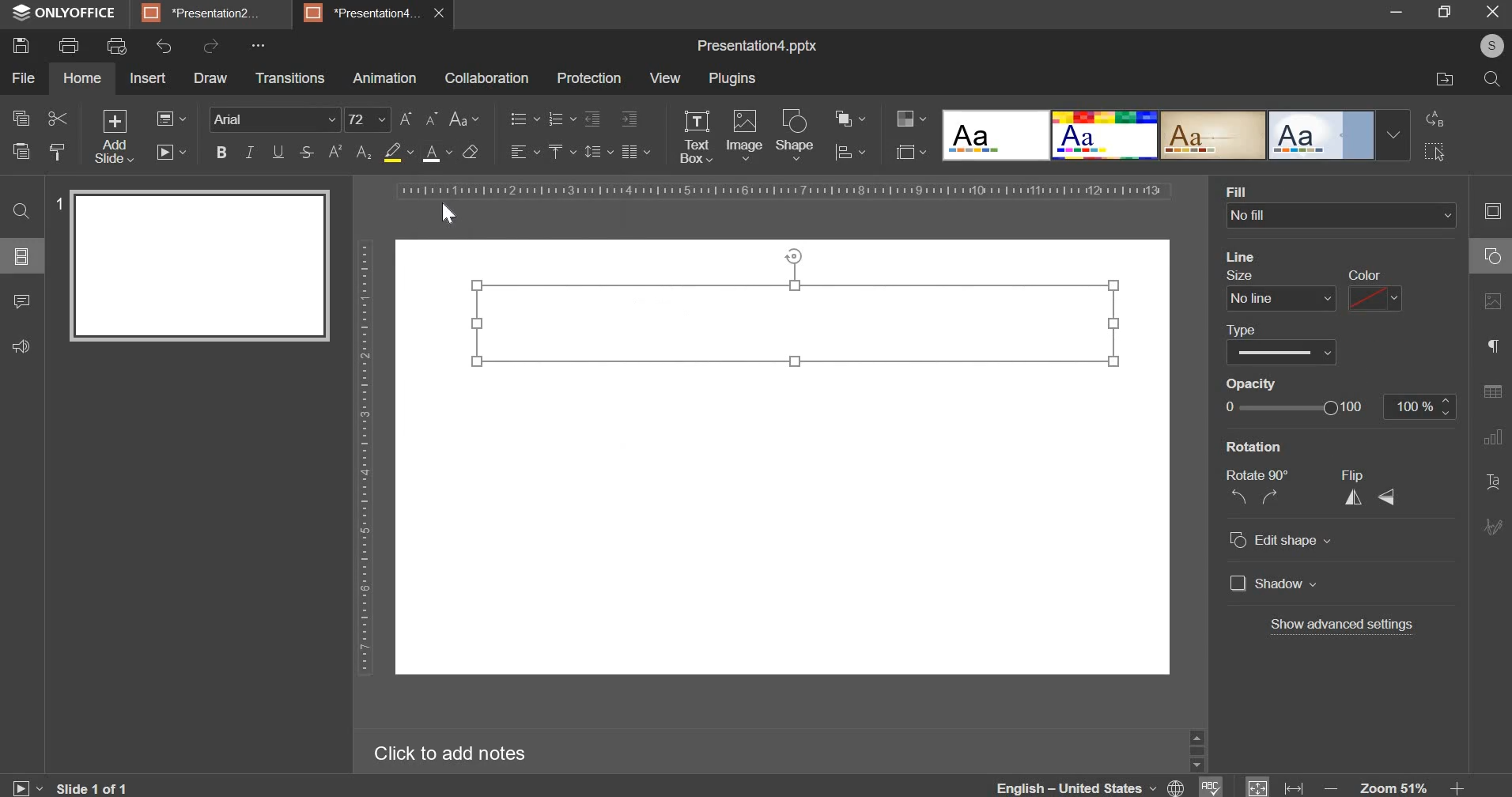 The width and height of the screenshot is (1512, 797). What do you see at coordinates (112, 137) in the screenshot?
I see `add slides` at bounding box center [112, 137].